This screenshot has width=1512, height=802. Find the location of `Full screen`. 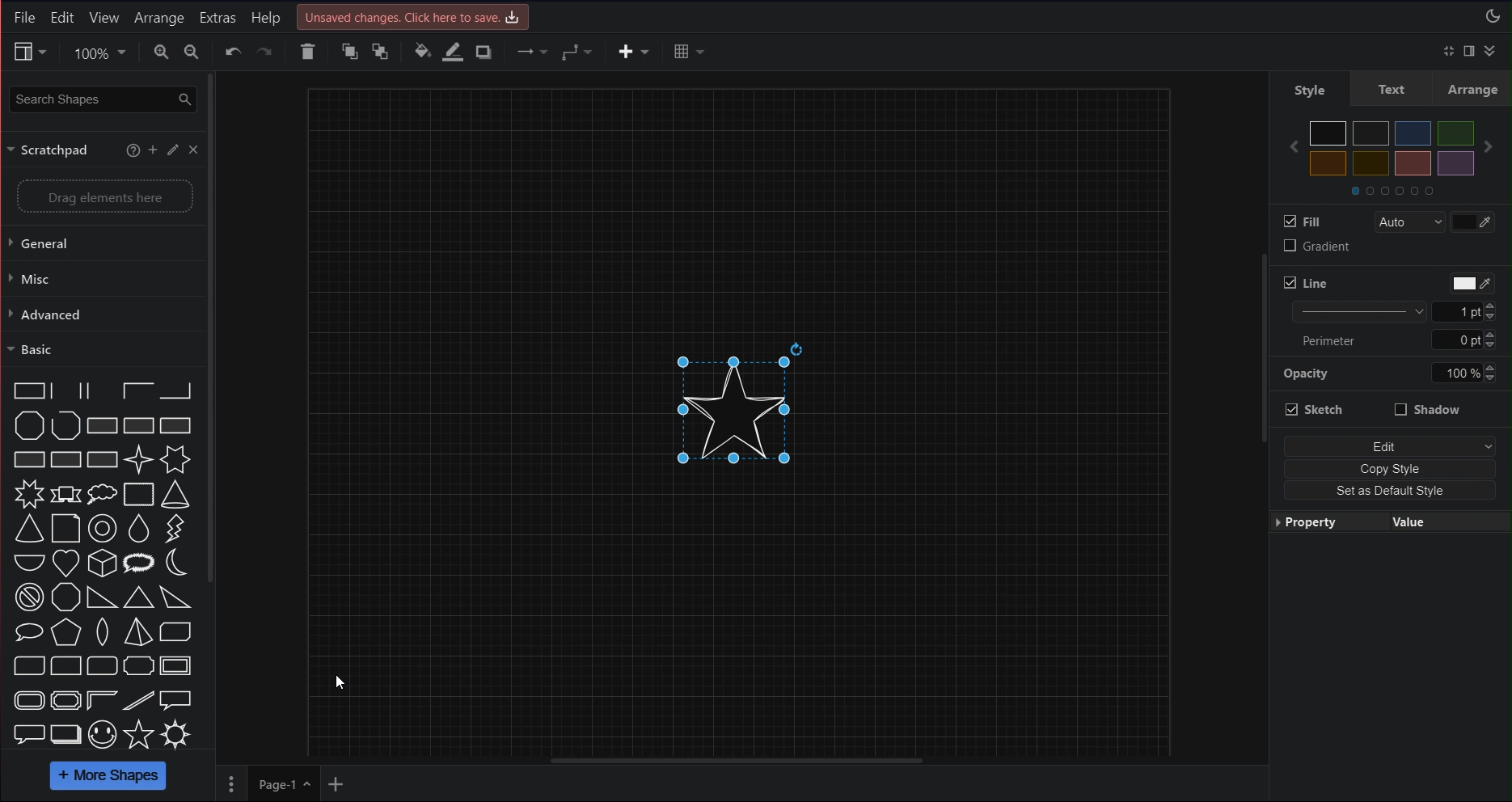

Full screen is located at coordinates (1451, 51).